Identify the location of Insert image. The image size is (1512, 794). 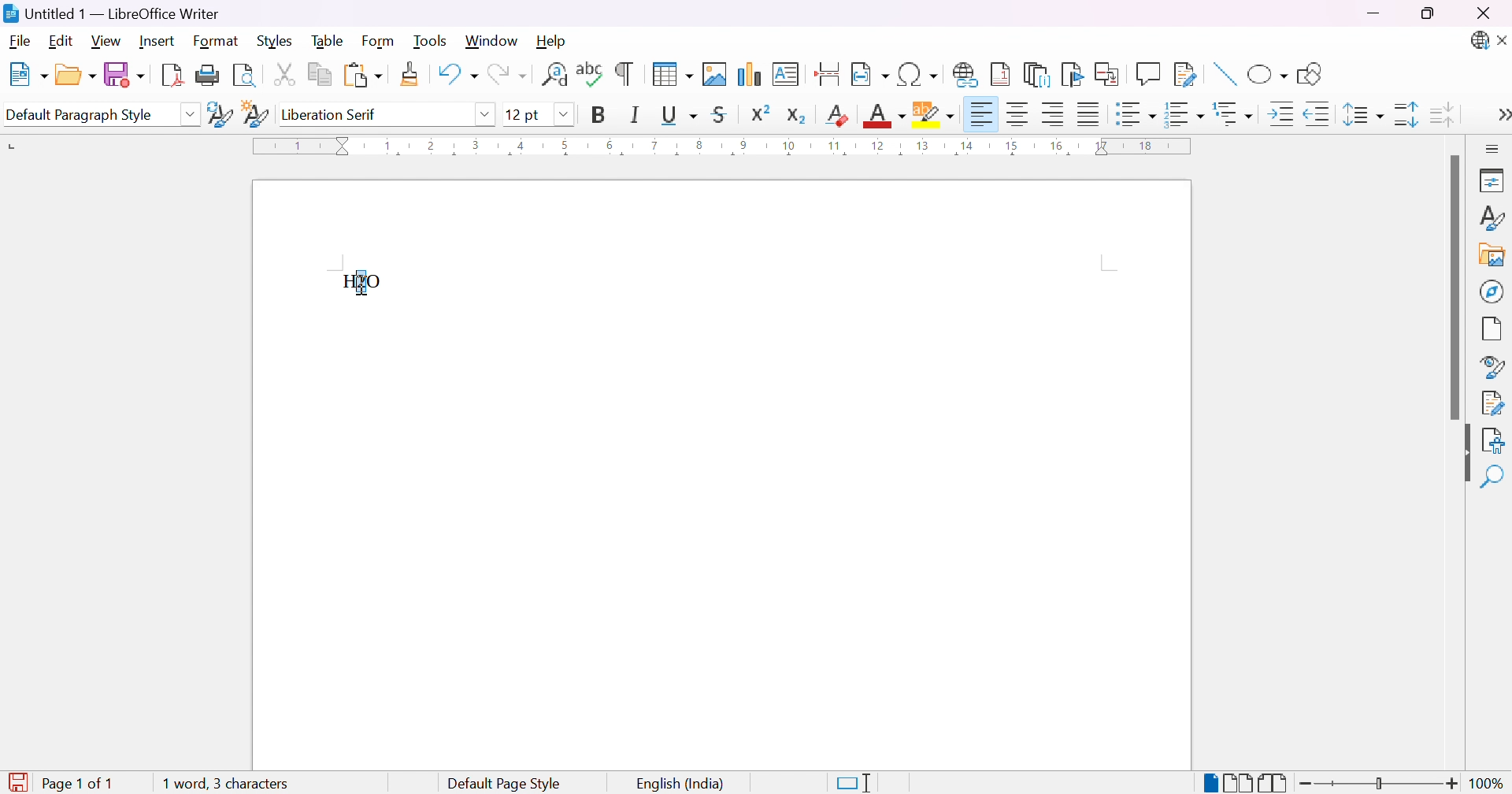
(716, 74).